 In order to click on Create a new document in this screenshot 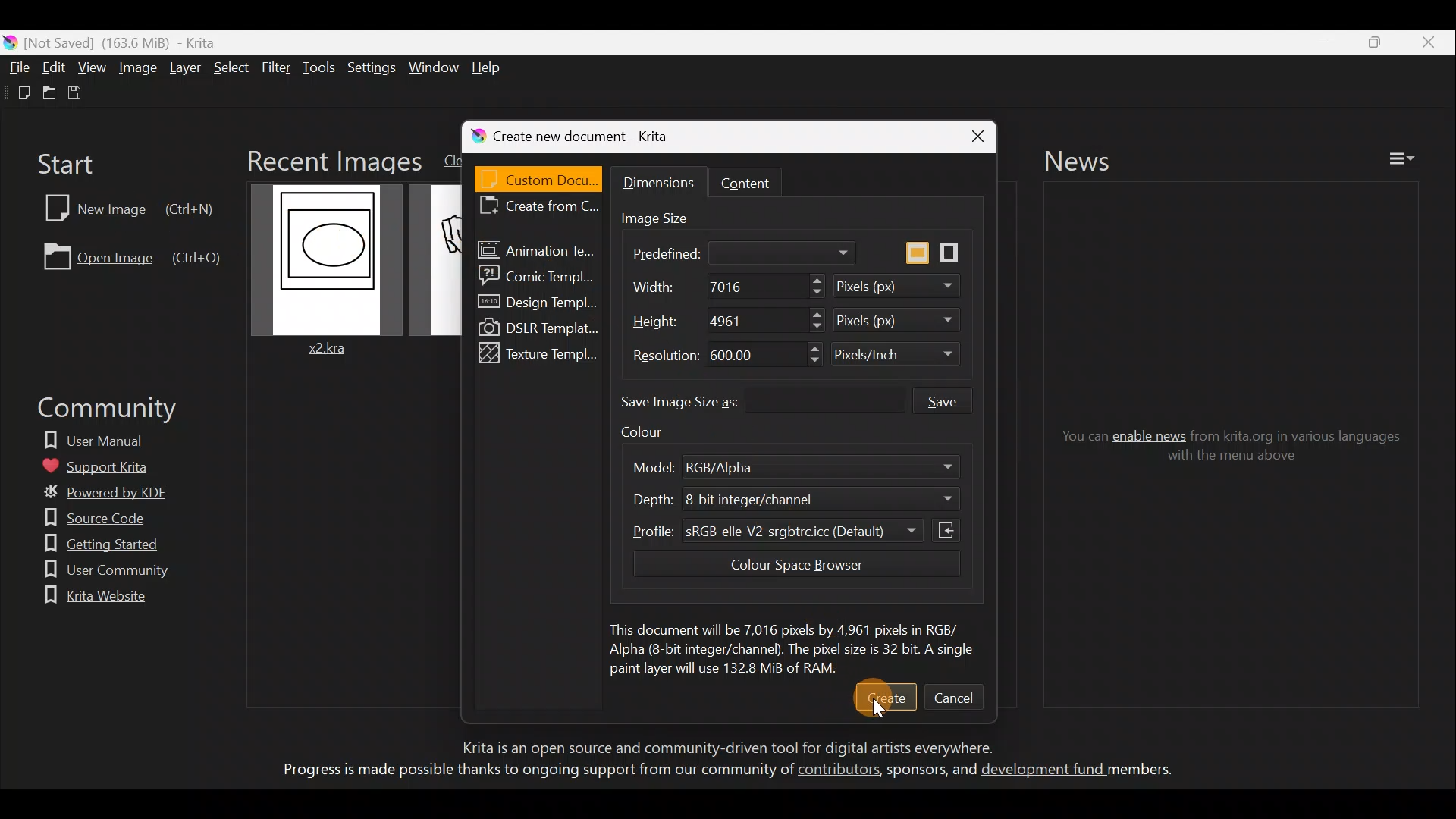, I will do `click(15, 92)`.